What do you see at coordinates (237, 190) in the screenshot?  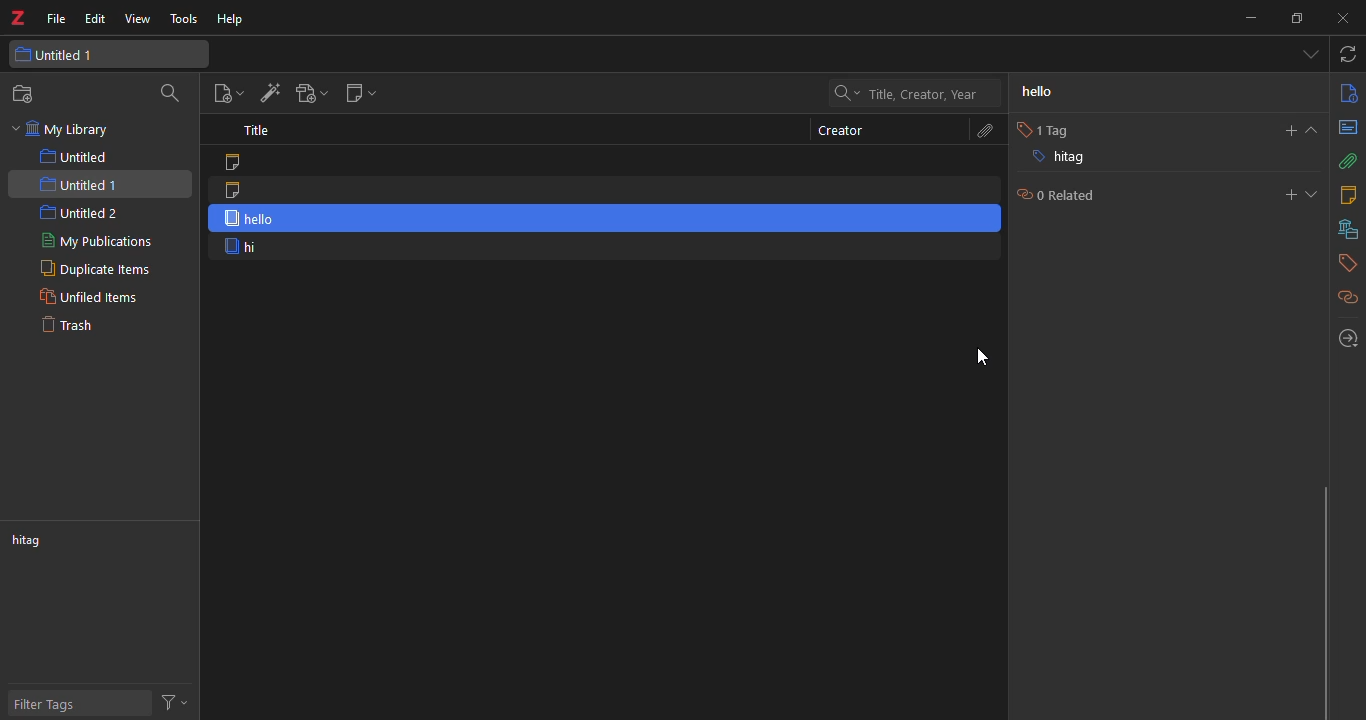 I see `note` at bounding box center [237, 190].